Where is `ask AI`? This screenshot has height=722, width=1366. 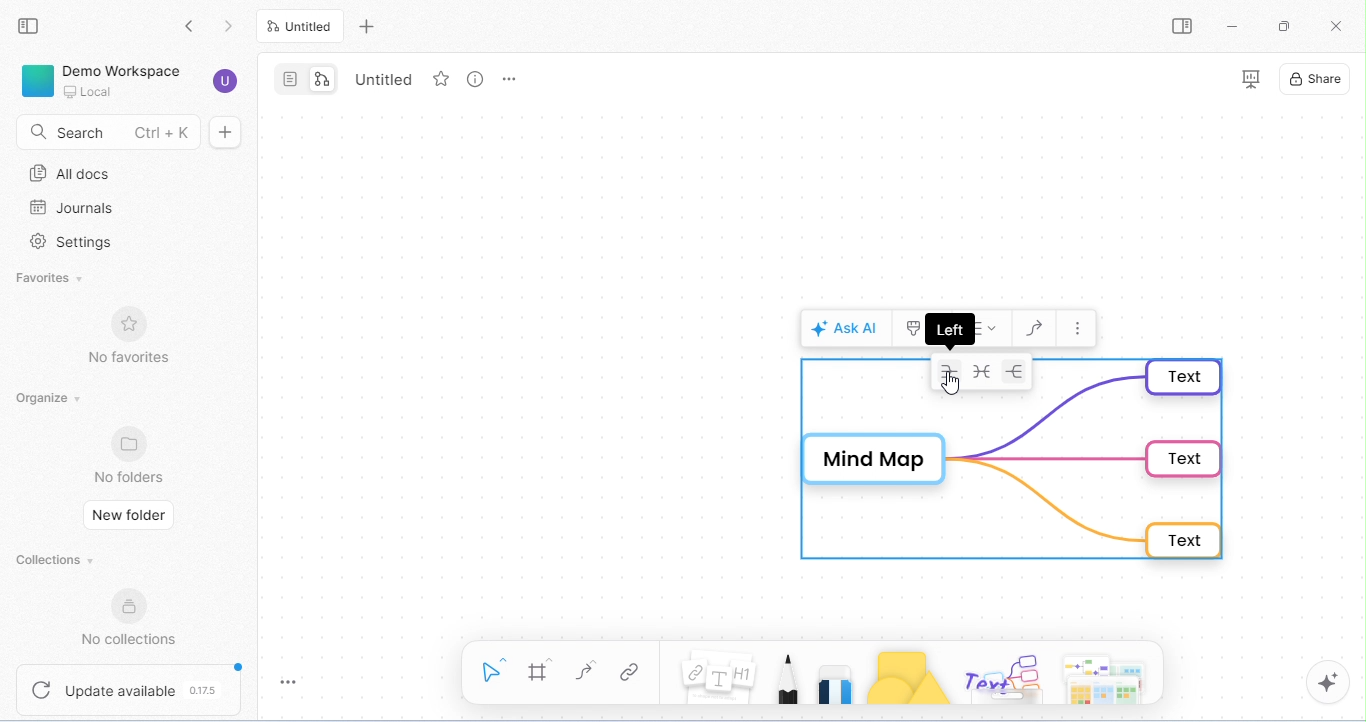 ask AI is located at coordinates (845, 326).